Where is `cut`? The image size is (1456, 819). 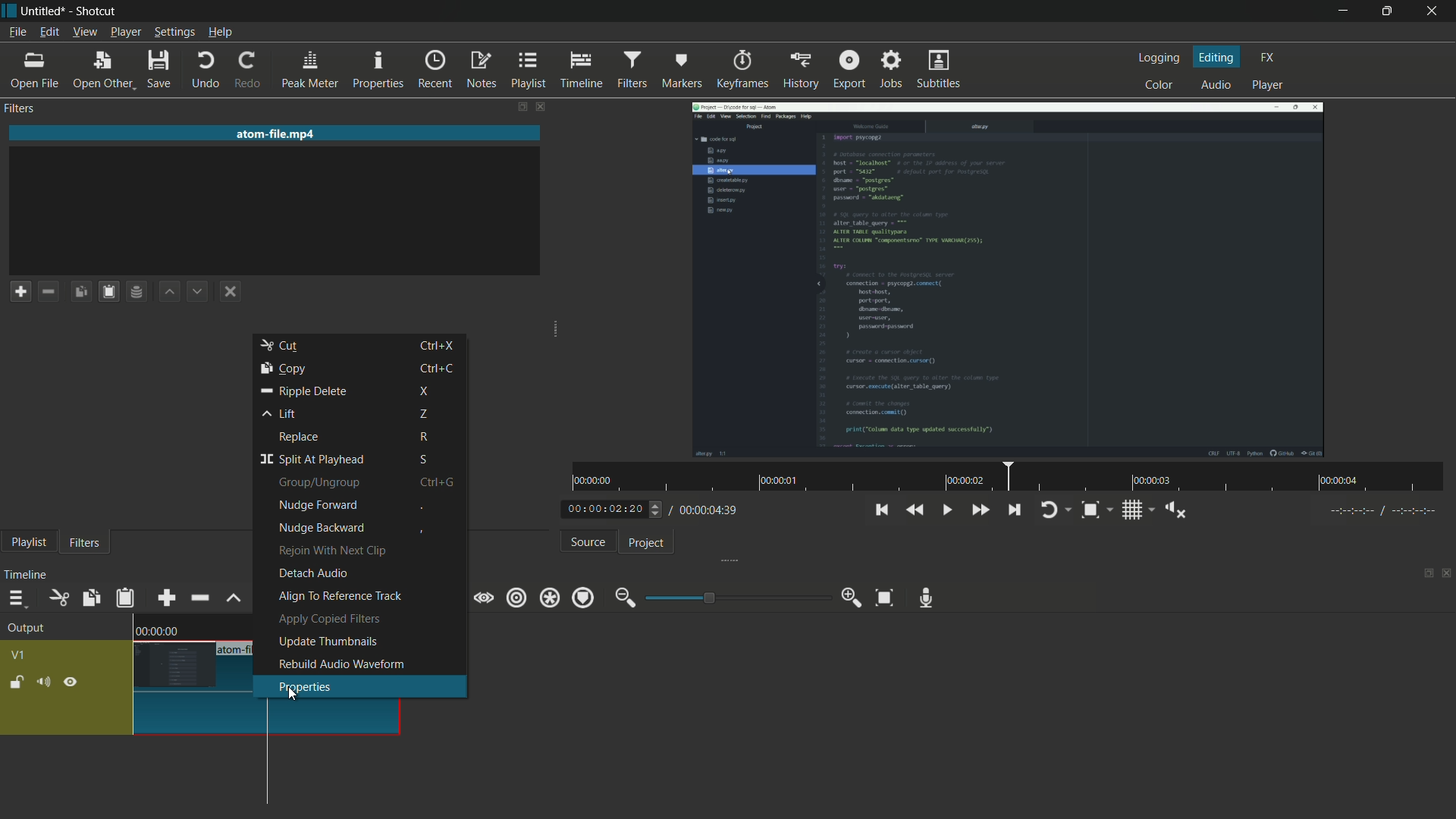 cut is located at coordinates (284, 347).